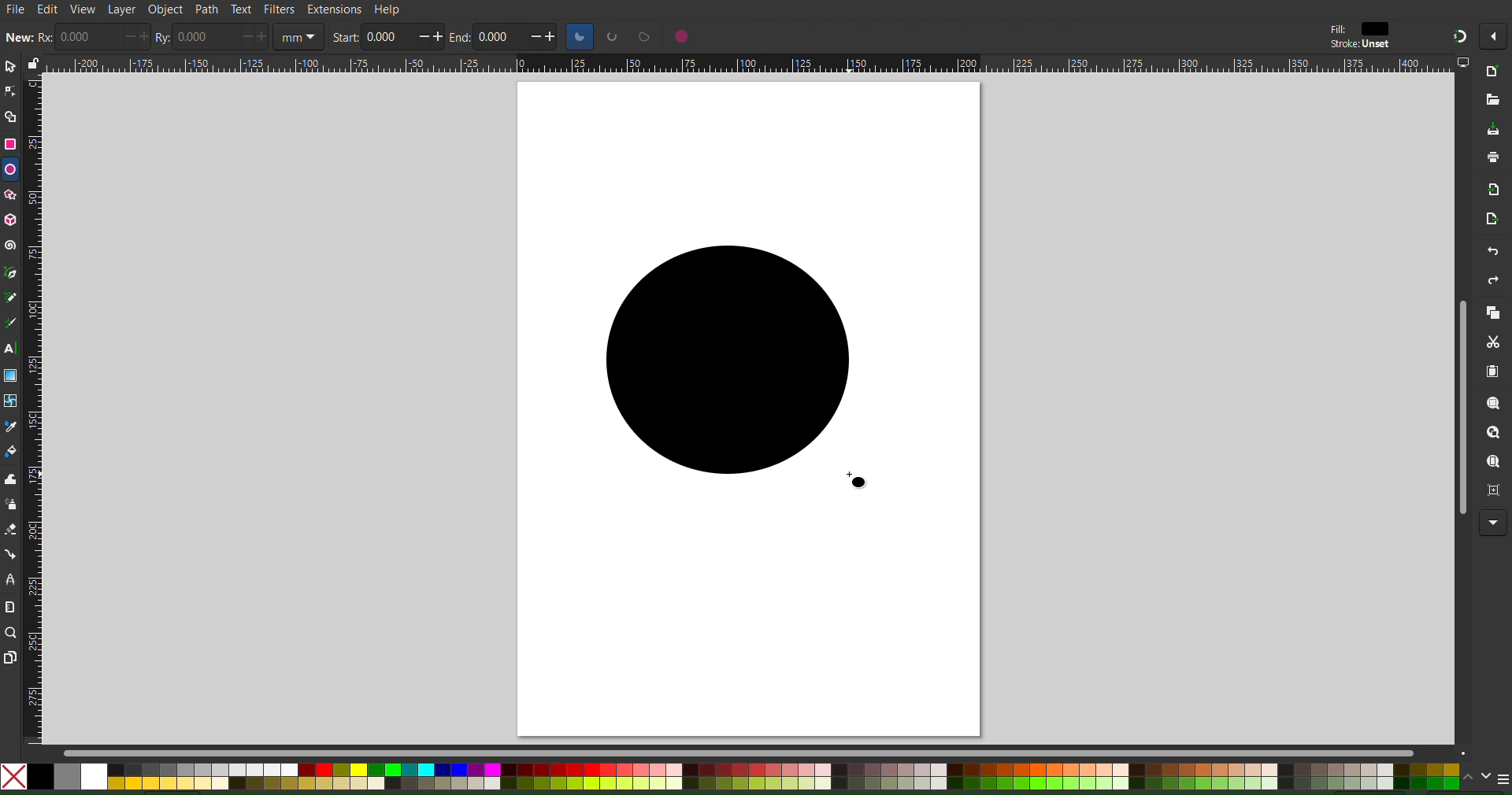 This screenshot has height=795, width=1512. Describe the element at coordinates (34, 409) in the screenshot. I see `Vertical Ruler` at that location.